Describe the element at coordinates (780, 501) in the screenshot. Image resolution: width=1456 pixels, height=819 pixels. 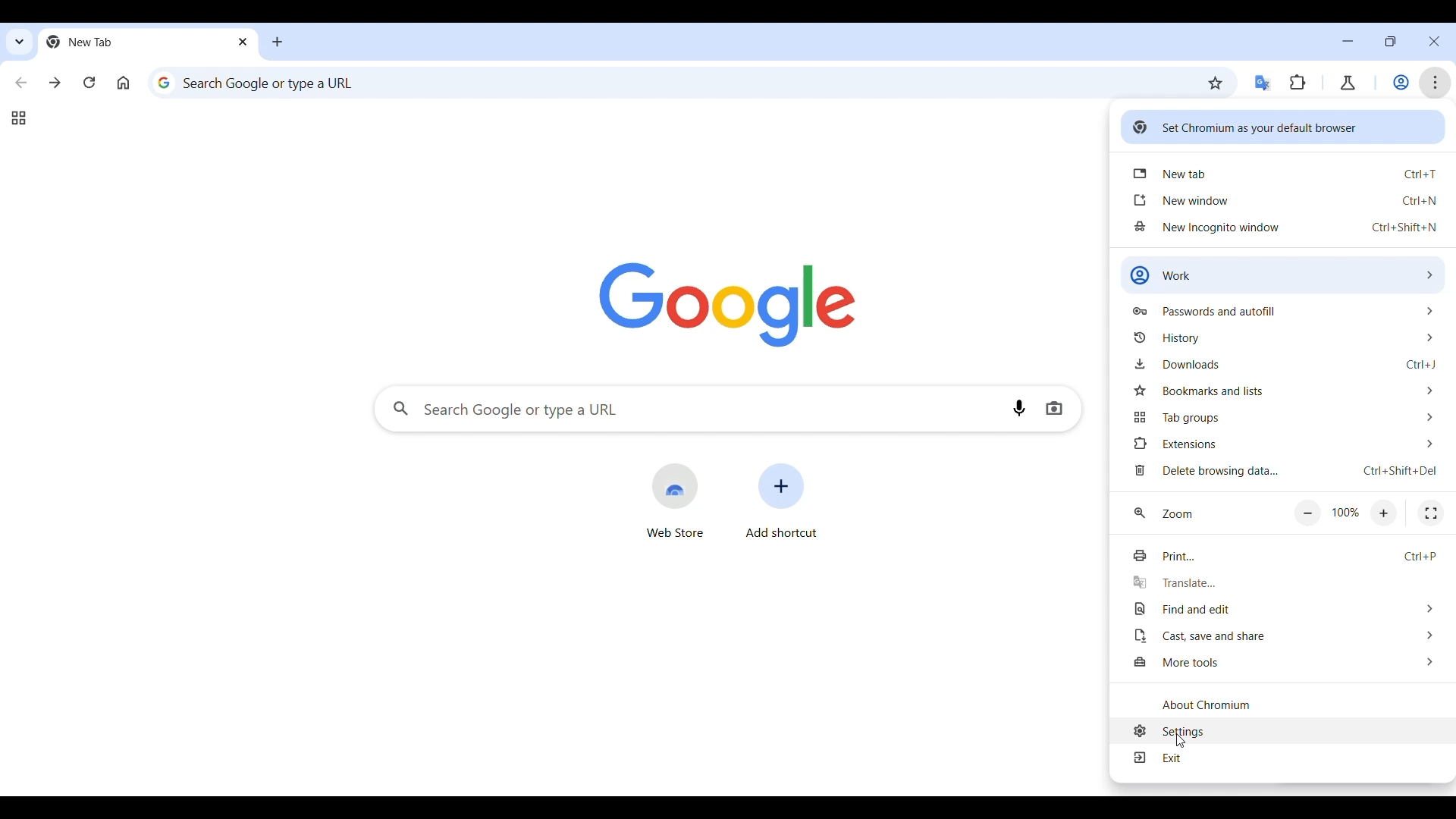
I see `Add shortcut to another site` at that location.